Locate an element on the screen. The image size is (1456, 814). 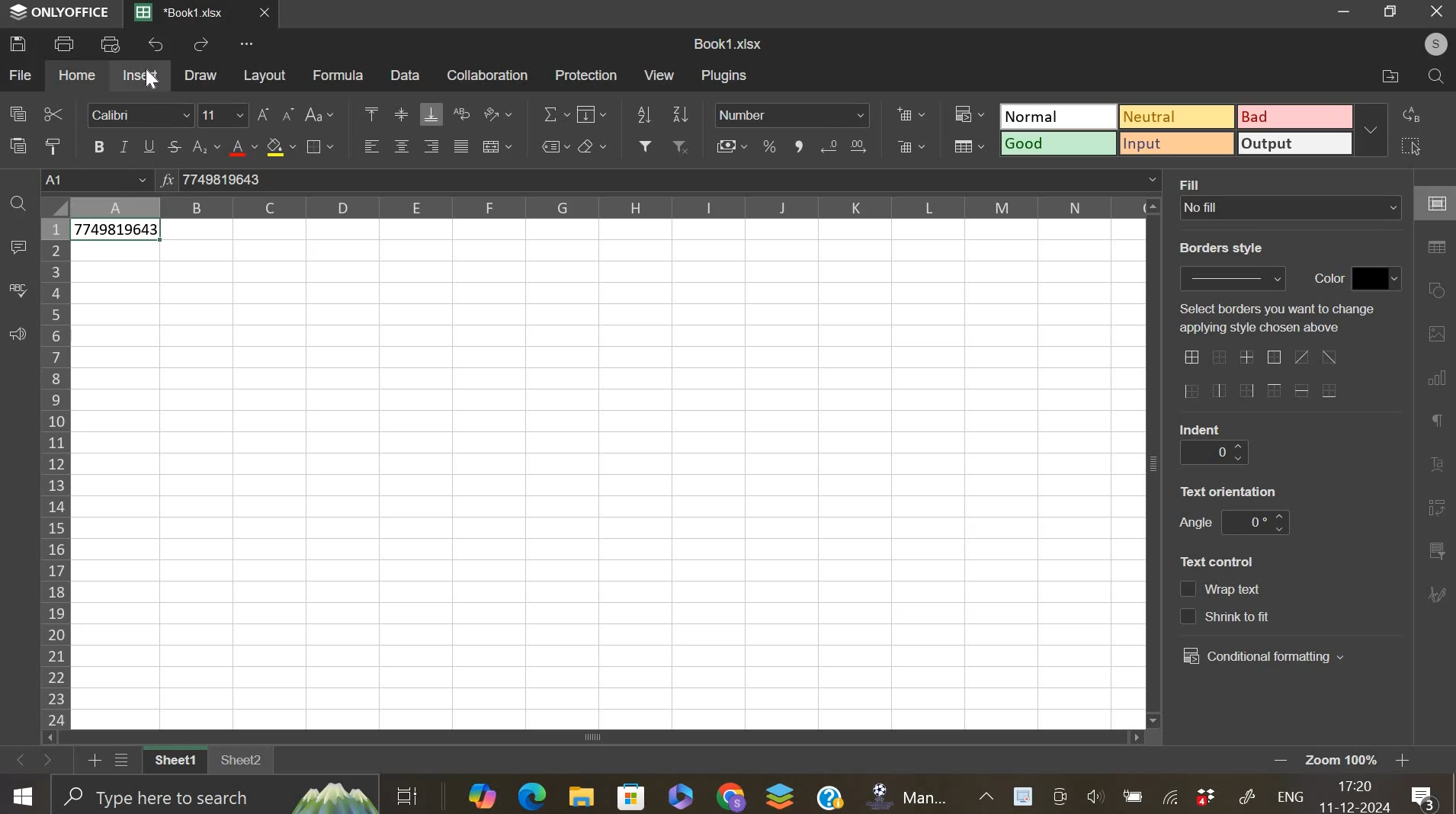
text orientation angle is located at coordinates (1255, 522).